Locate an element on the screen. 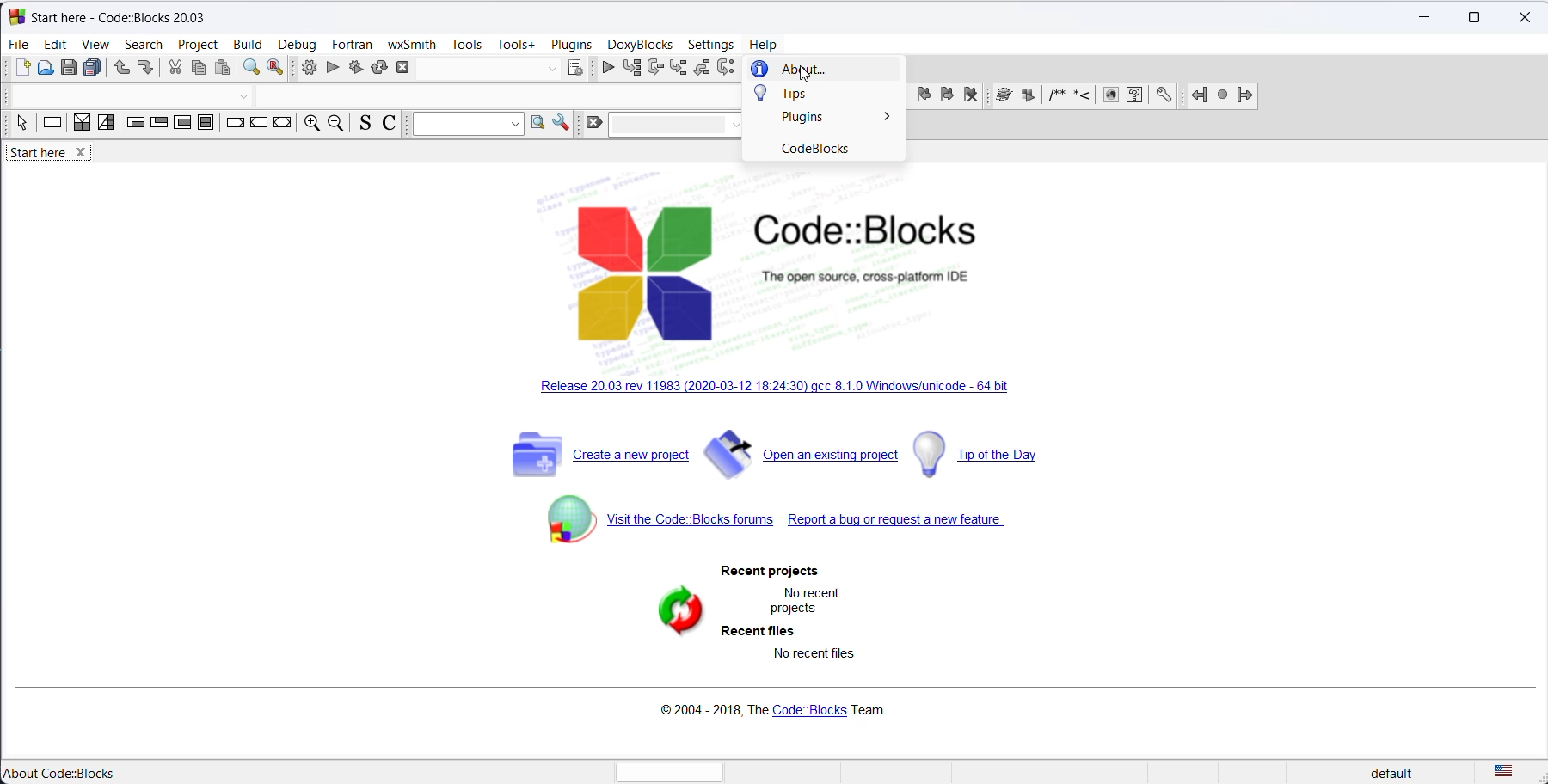 Image resolution: width=1548 pixels, height=784 pixels. edit is located at coordinates (56, 43).